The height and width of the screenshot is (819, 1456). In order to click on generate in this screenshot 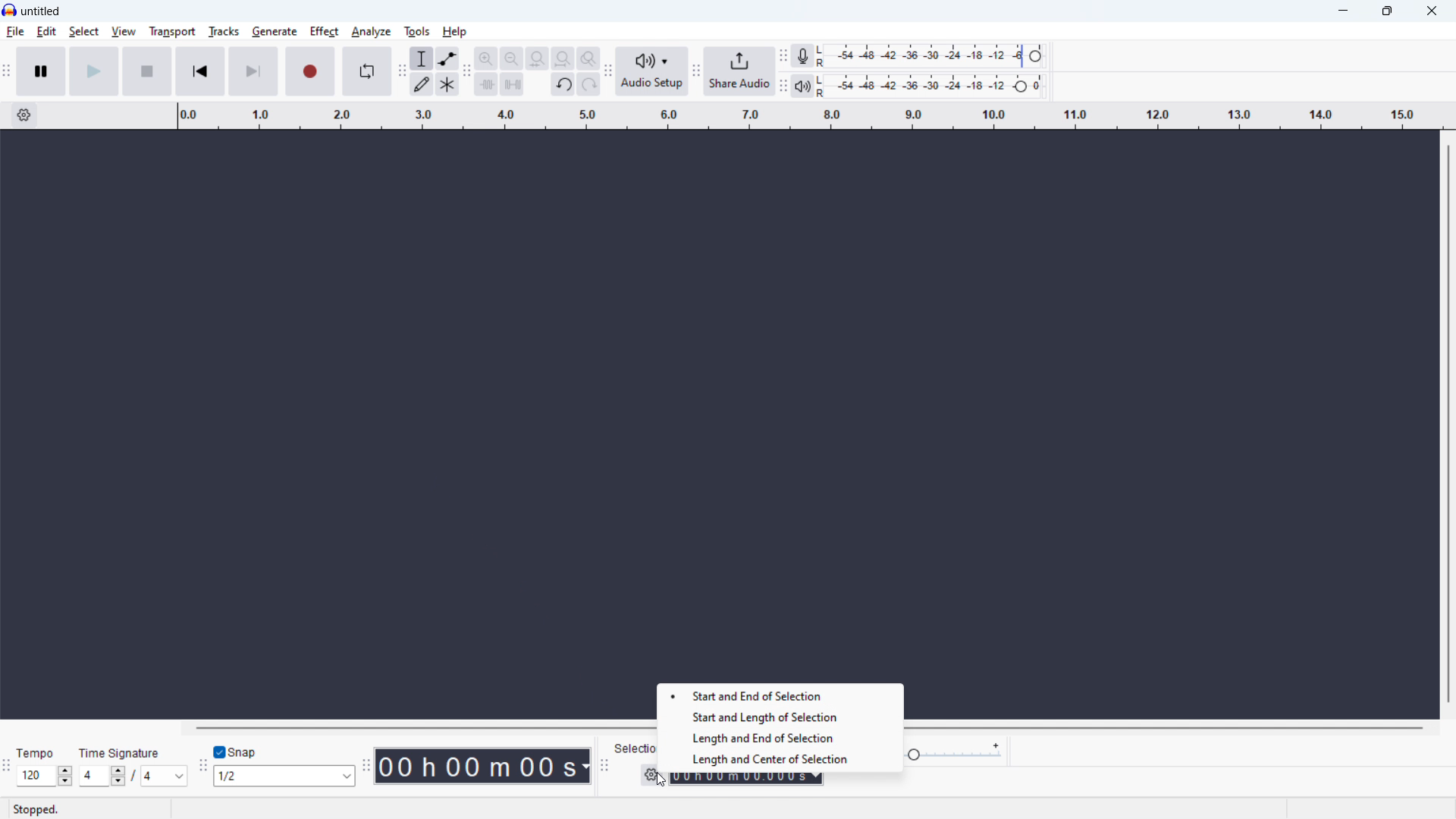, I will do `click(274, 32)`.